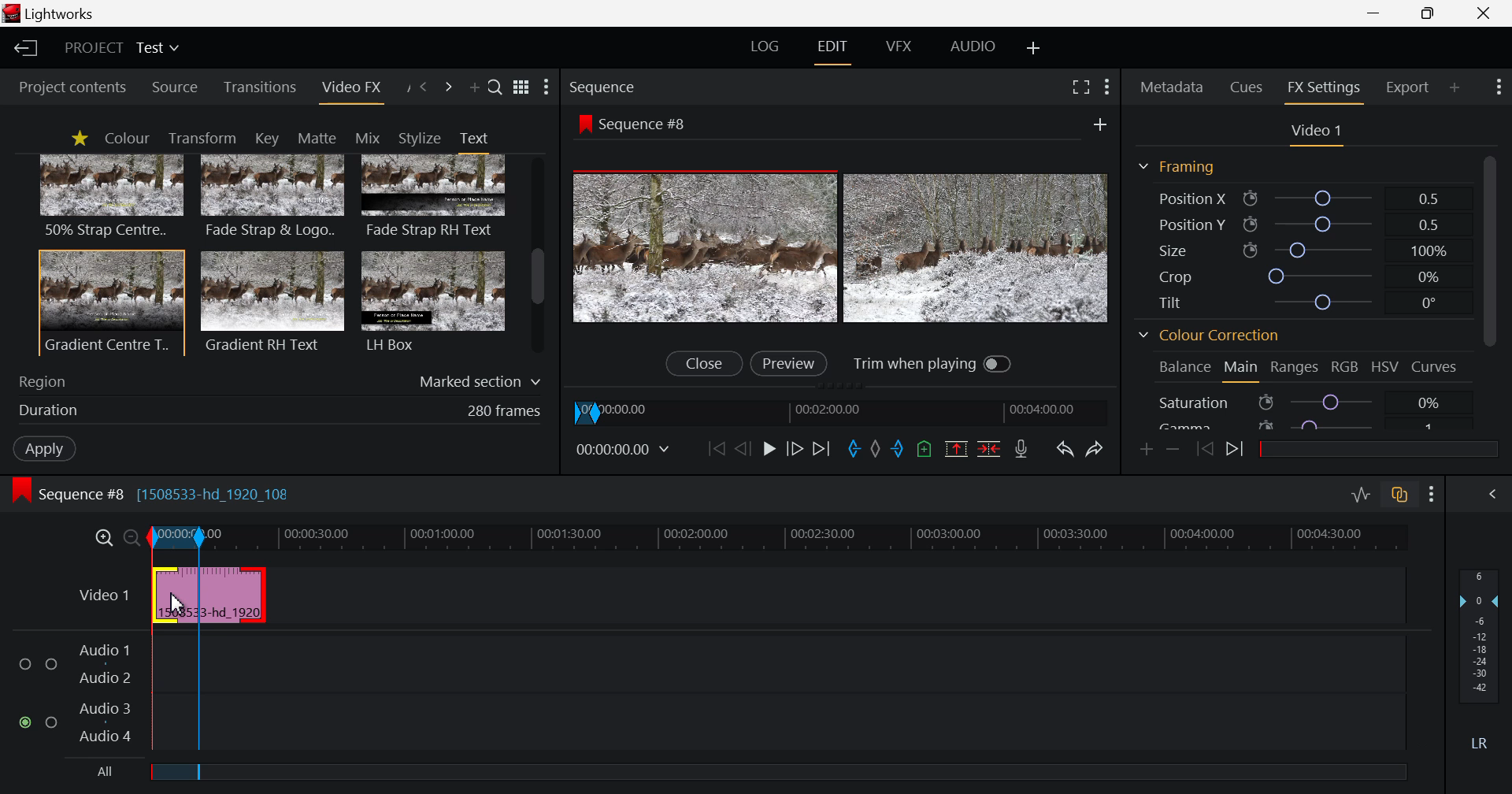 The height and width of the screenshot is (794, 1512). I want to click on Toggle auto track sync, so click(1402, 497).